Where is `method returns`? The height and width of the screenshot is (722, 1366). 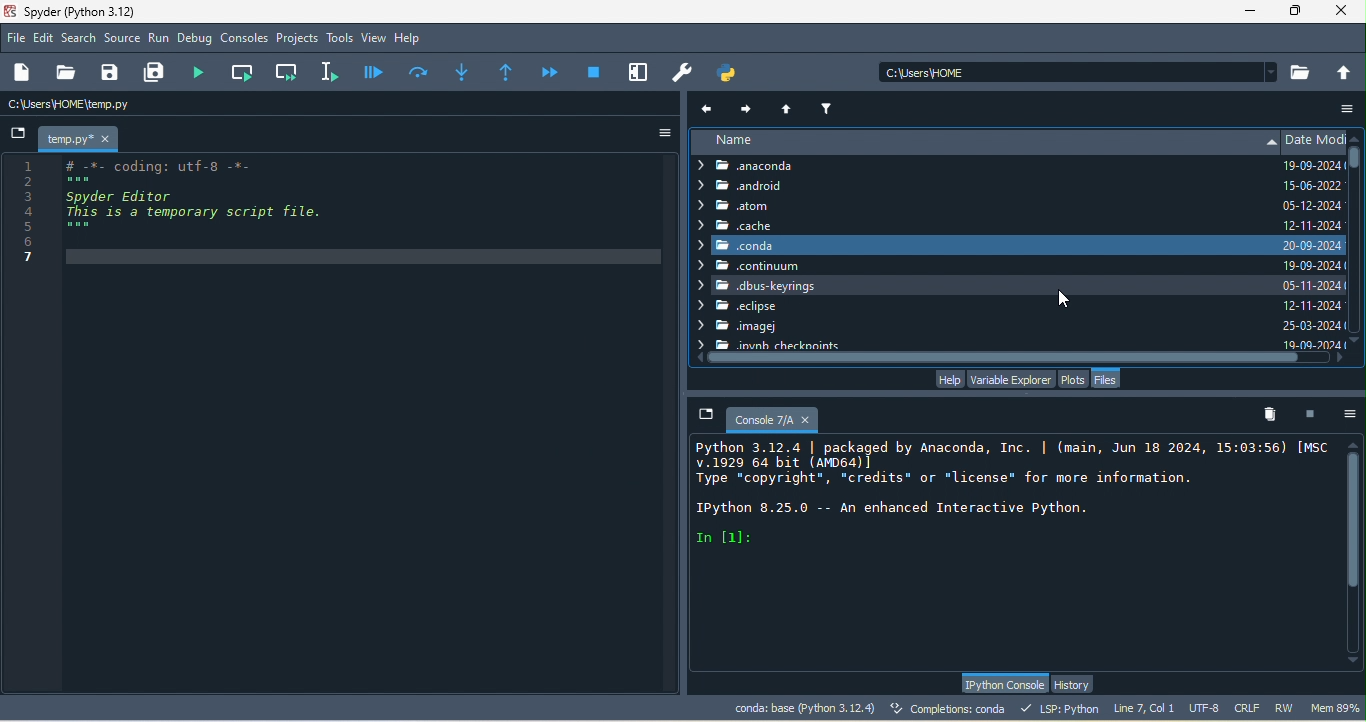 method returns is located at coordinates (508, 73).